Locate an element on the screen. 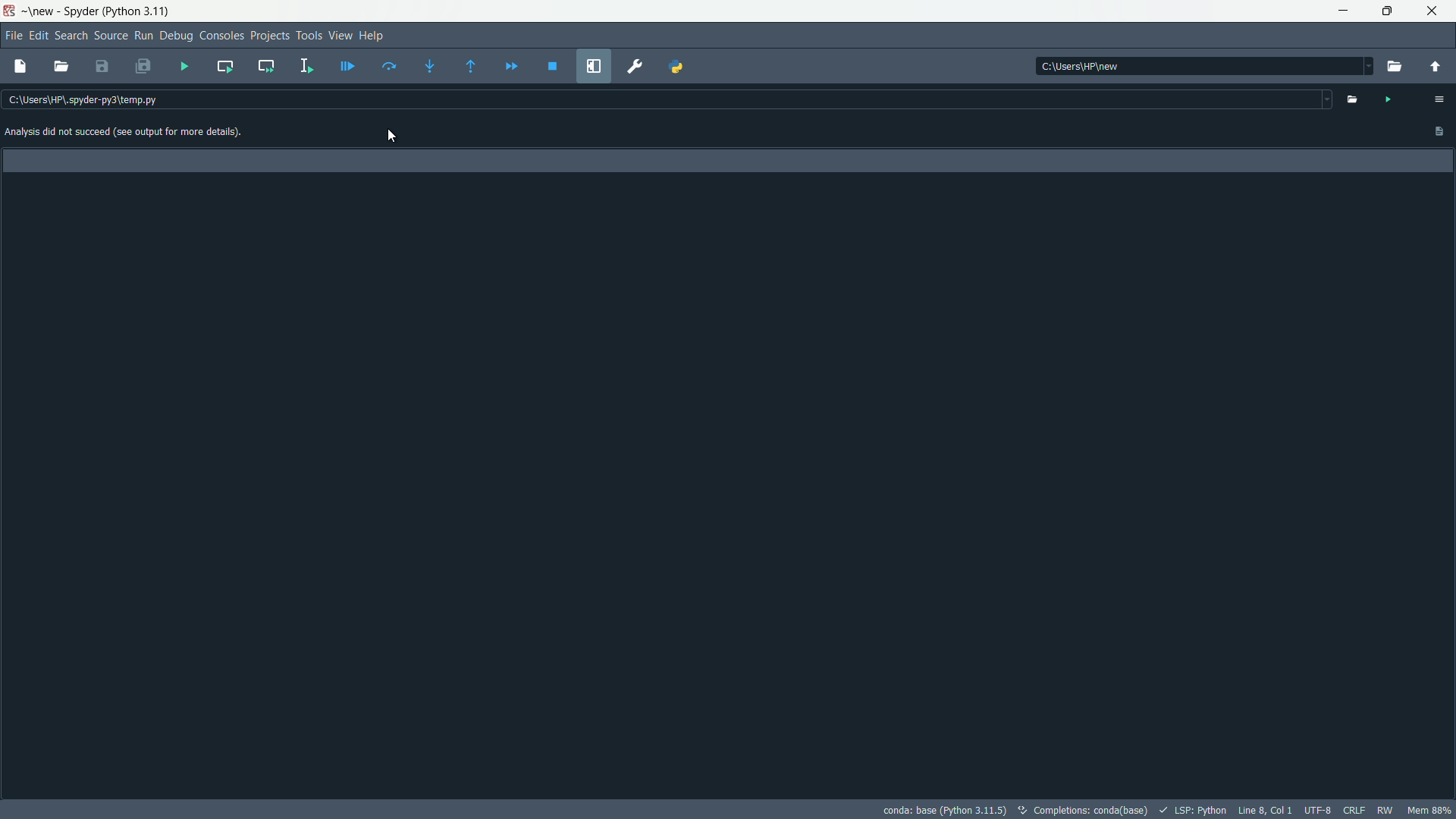  file encoding is located at coordinates (1316, 808).